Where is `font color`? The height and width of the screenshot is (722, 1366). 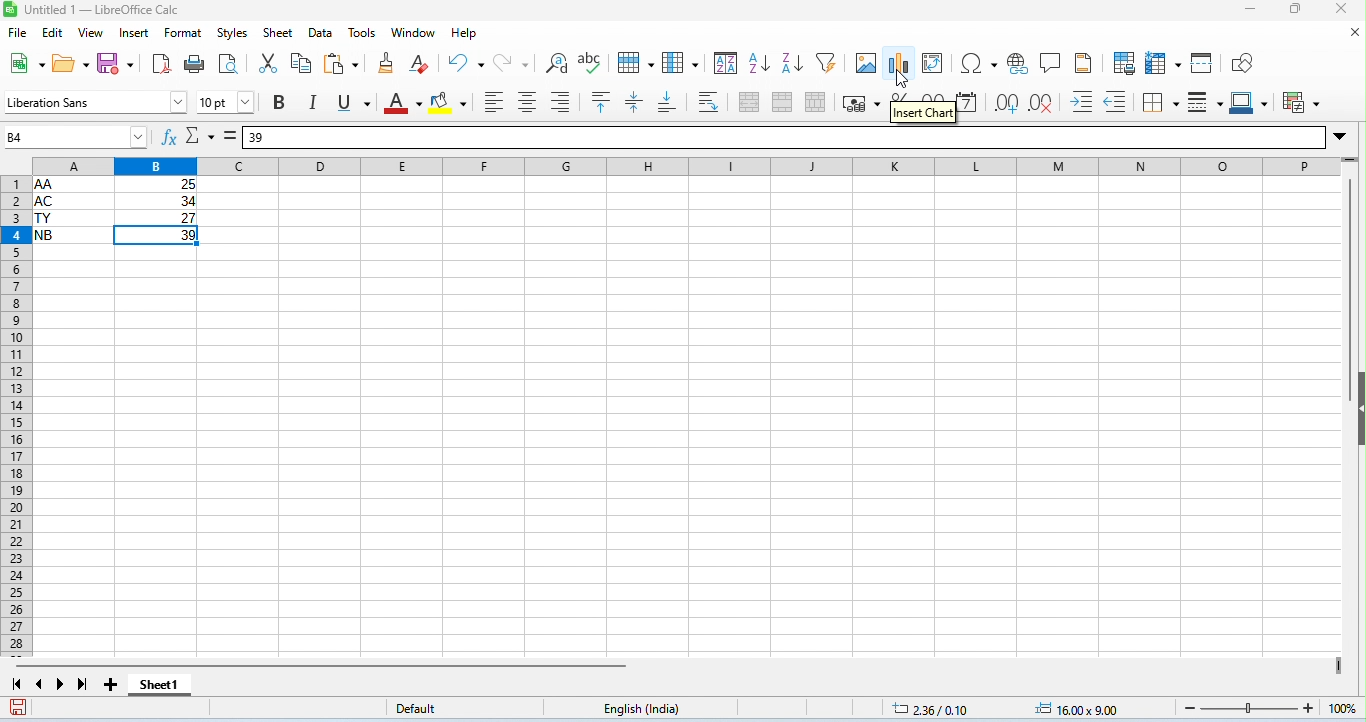
font color is located at coordinates (402, 103).